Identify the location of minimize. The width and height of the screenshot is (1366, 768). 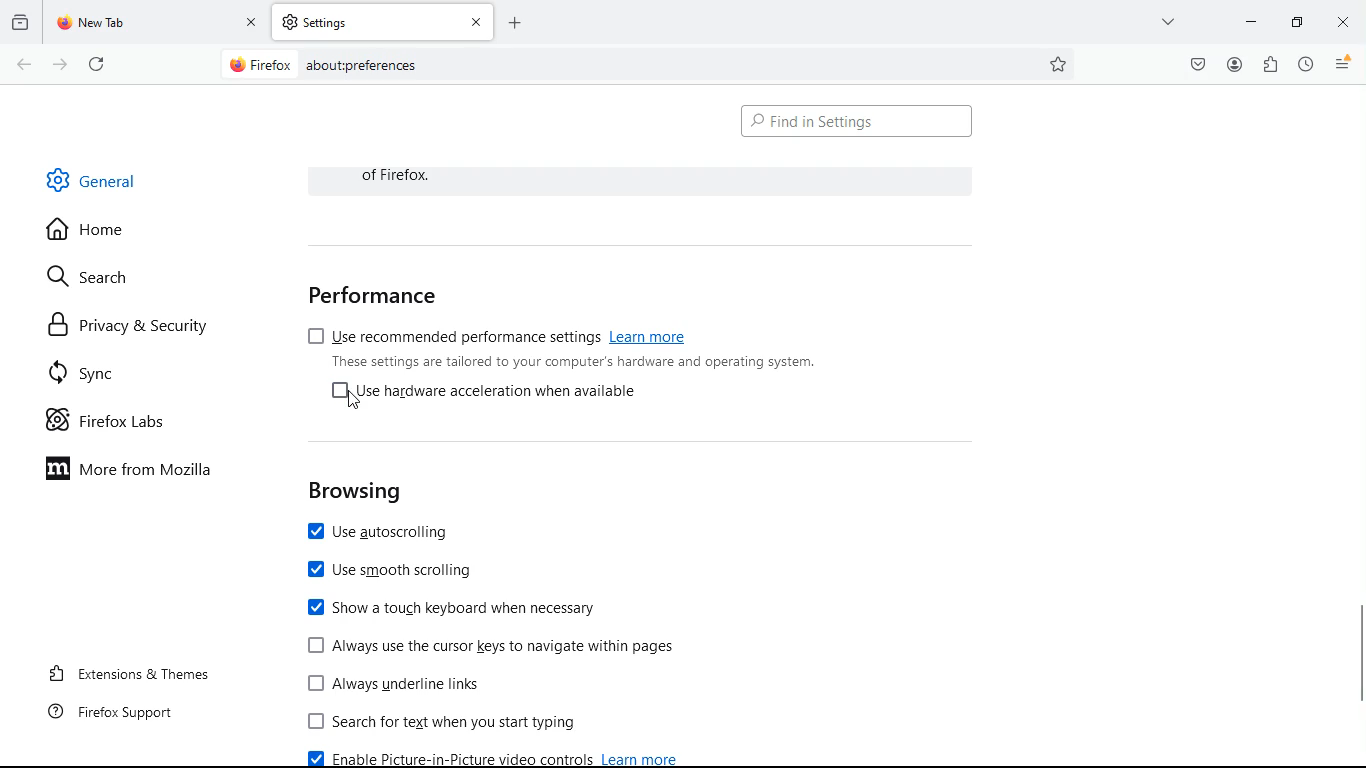
(1251, 21).